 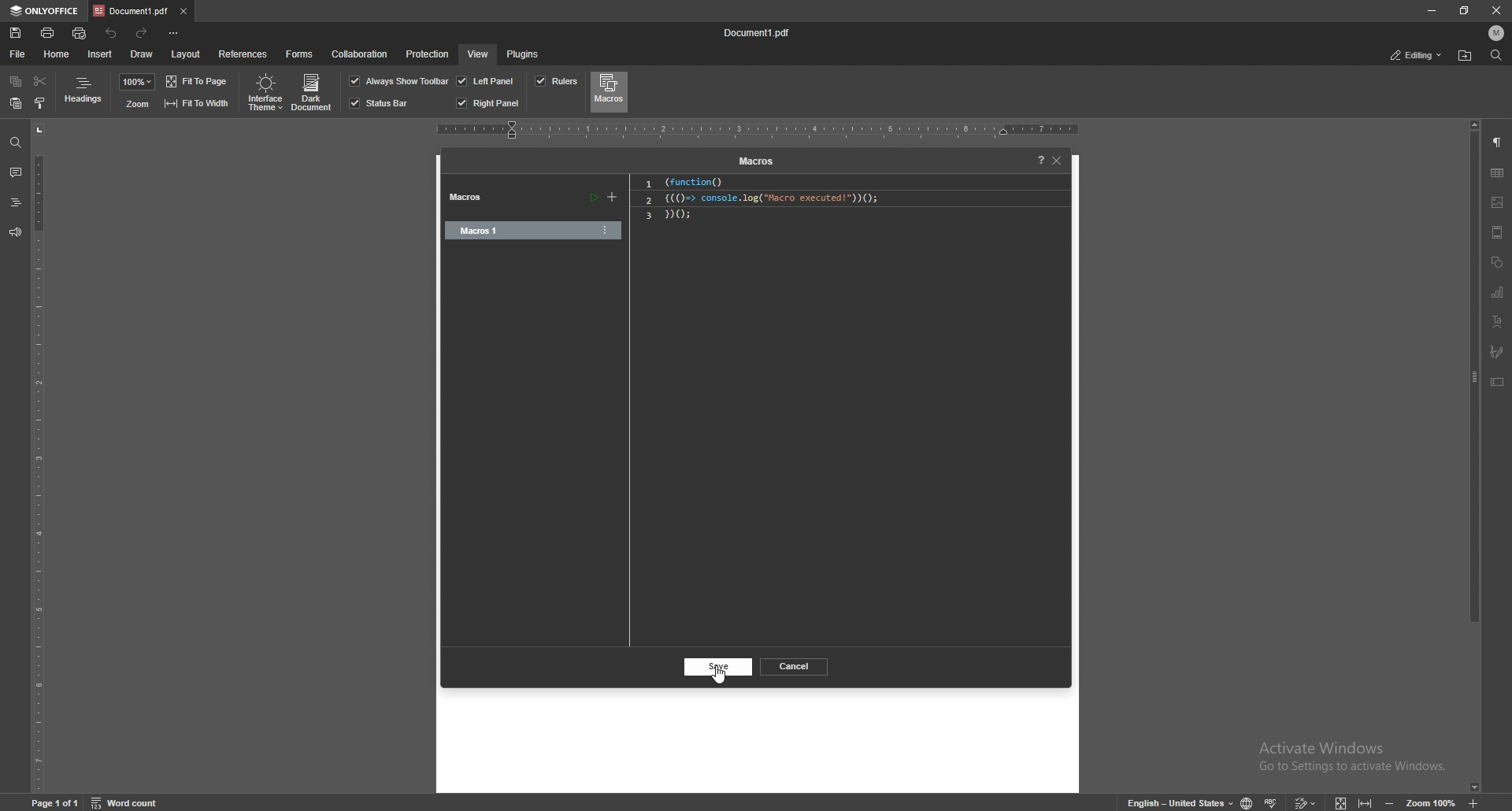 I want to click on signature field, so click(x=1497, y=351).